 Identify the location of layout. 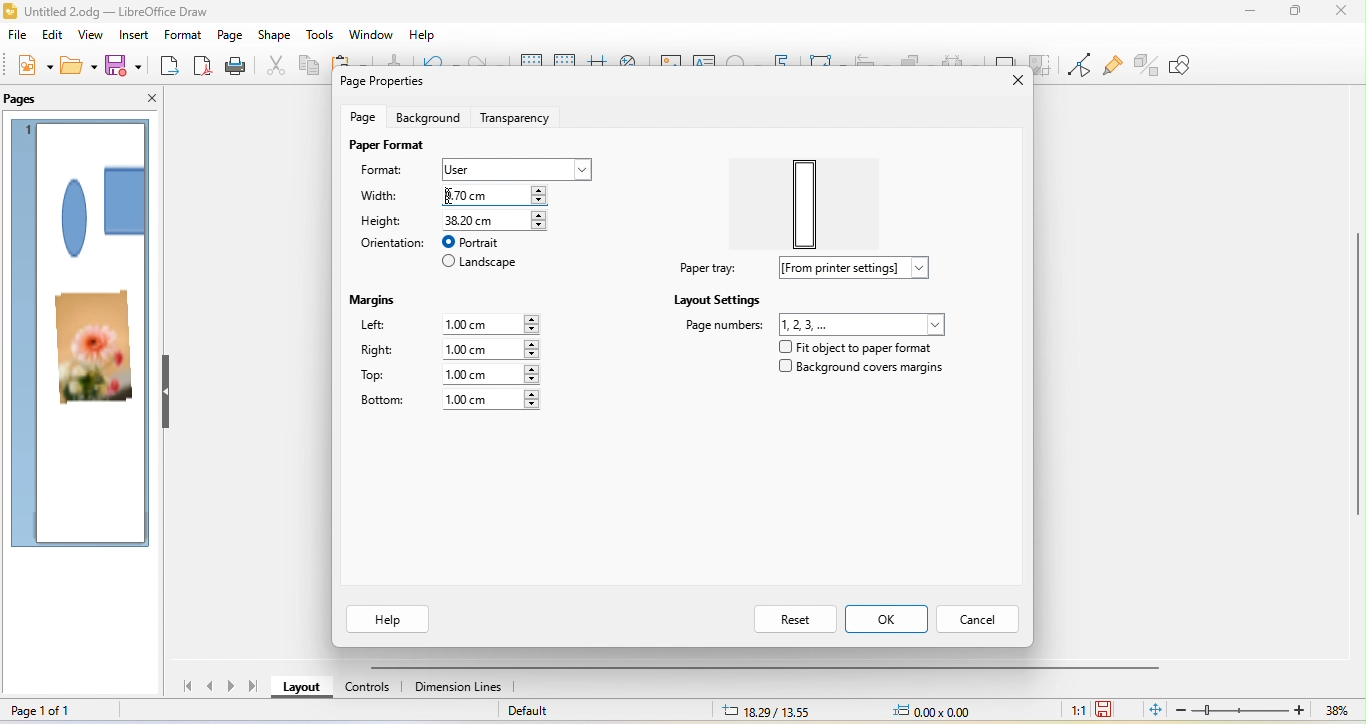
(299, 688).